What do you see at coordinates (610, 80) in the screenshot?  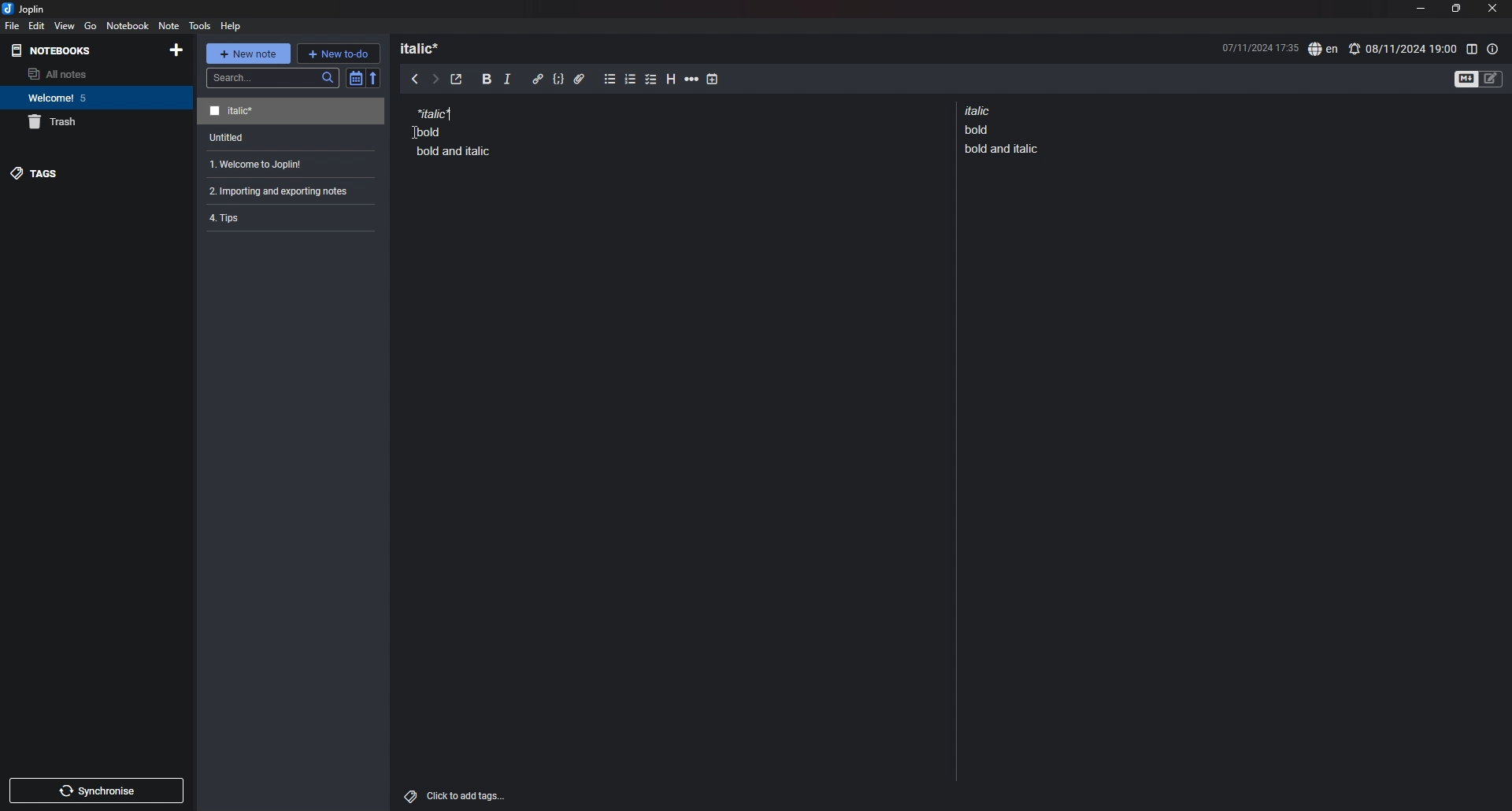 I see `bullet list` at bounding box center [610, 80].